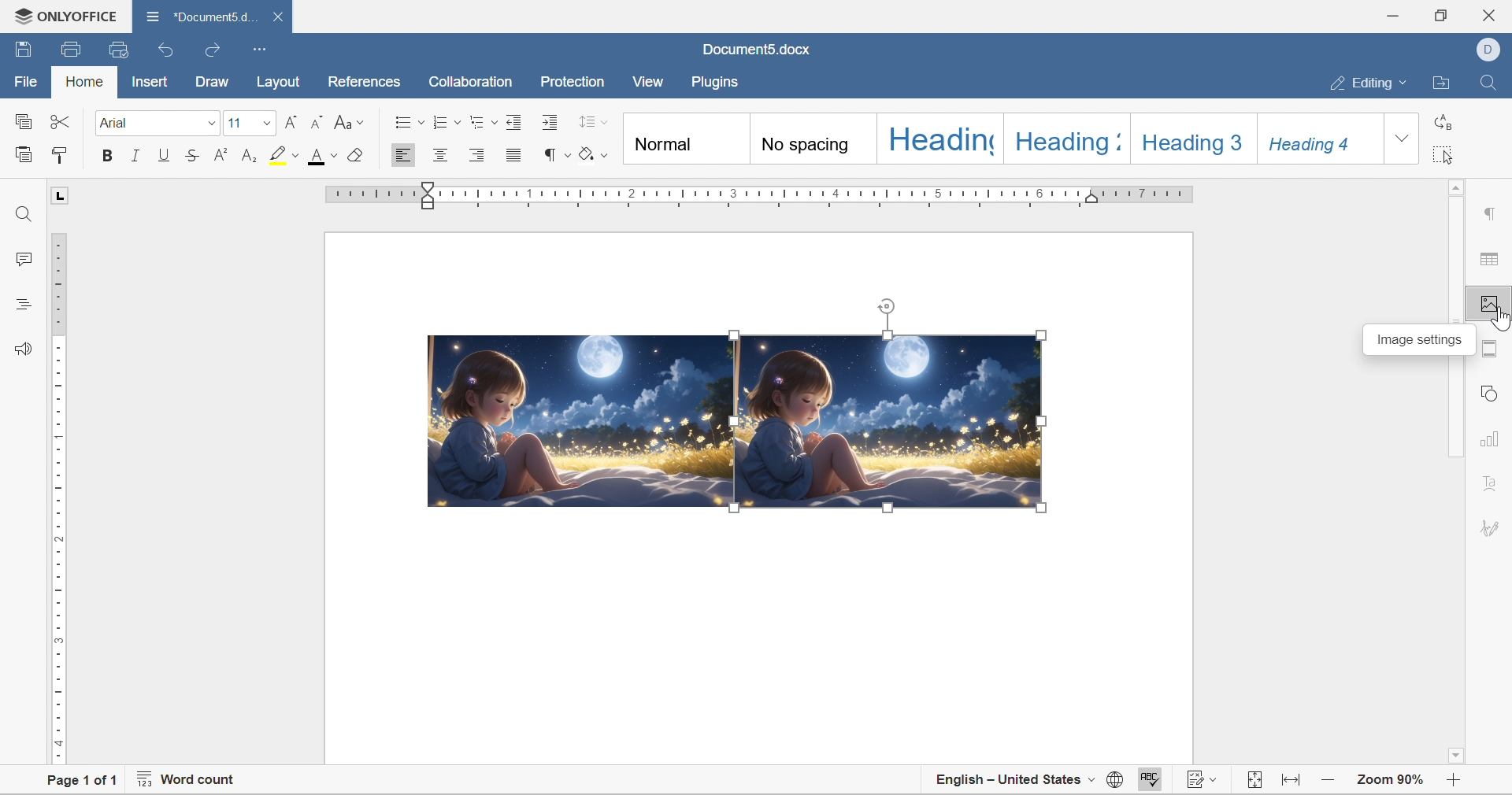  What do you see at coordinates (28, 81) in the screenshot?
I see `file` at bounding box center [28, 81].